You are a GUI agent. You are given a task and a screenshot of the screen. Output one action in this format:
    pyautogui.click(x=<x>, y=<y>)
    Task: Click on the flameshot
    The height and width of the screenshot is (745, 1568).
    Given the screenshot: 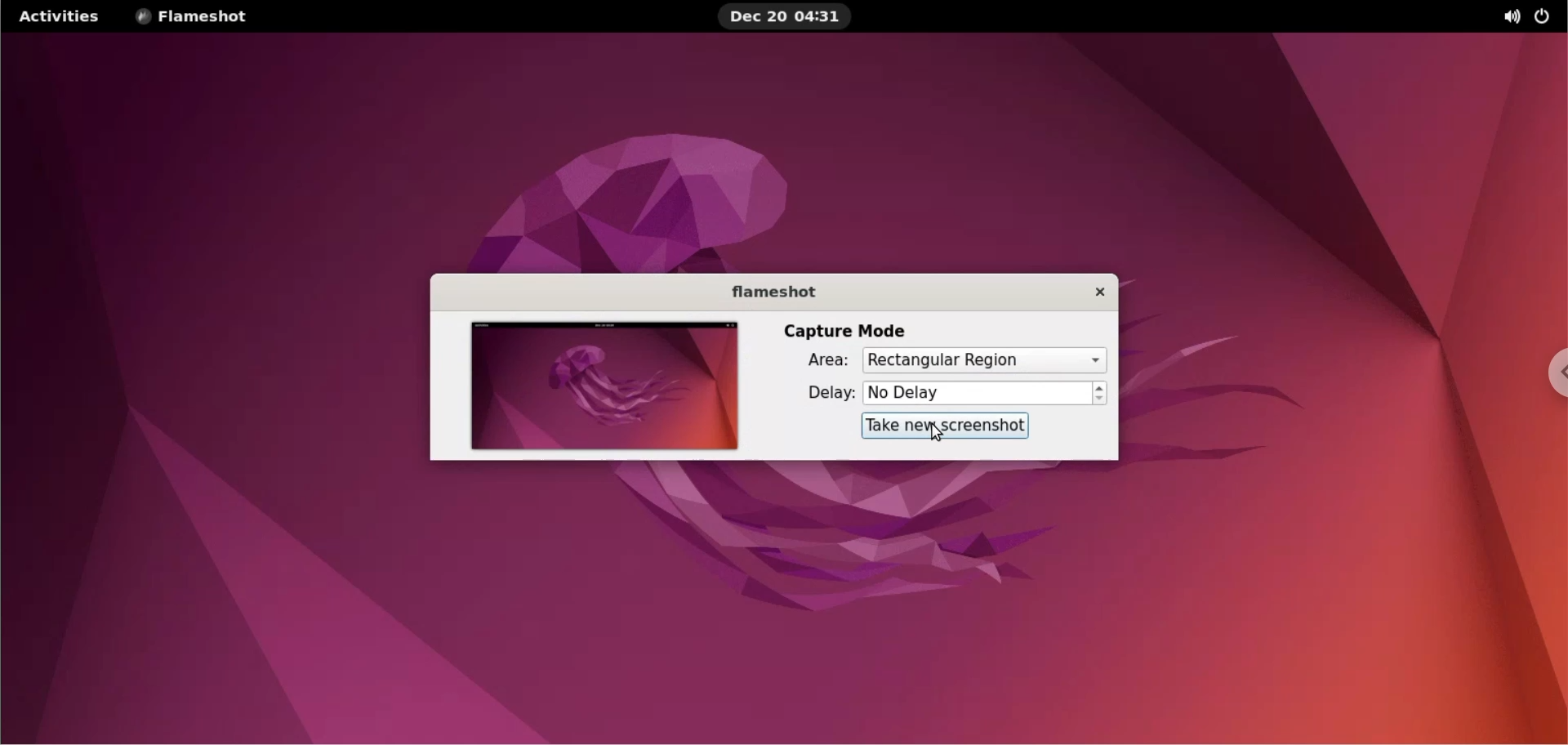 What is the action you would take?
    pyautogui.click(x=780, y=292)
    